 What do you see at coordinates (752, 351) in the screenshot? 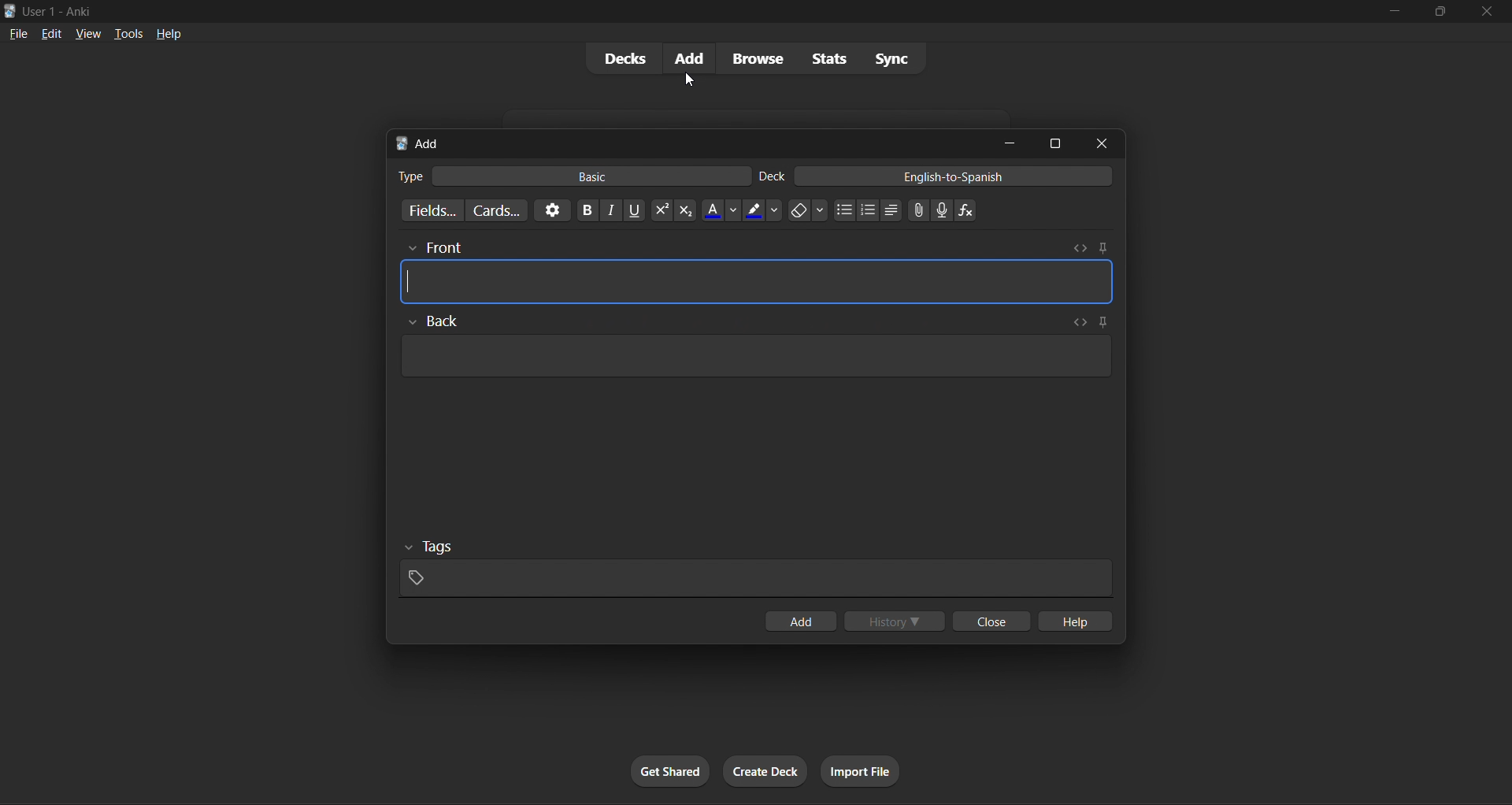
I see `card back text box` at bounding box center [752, 351].